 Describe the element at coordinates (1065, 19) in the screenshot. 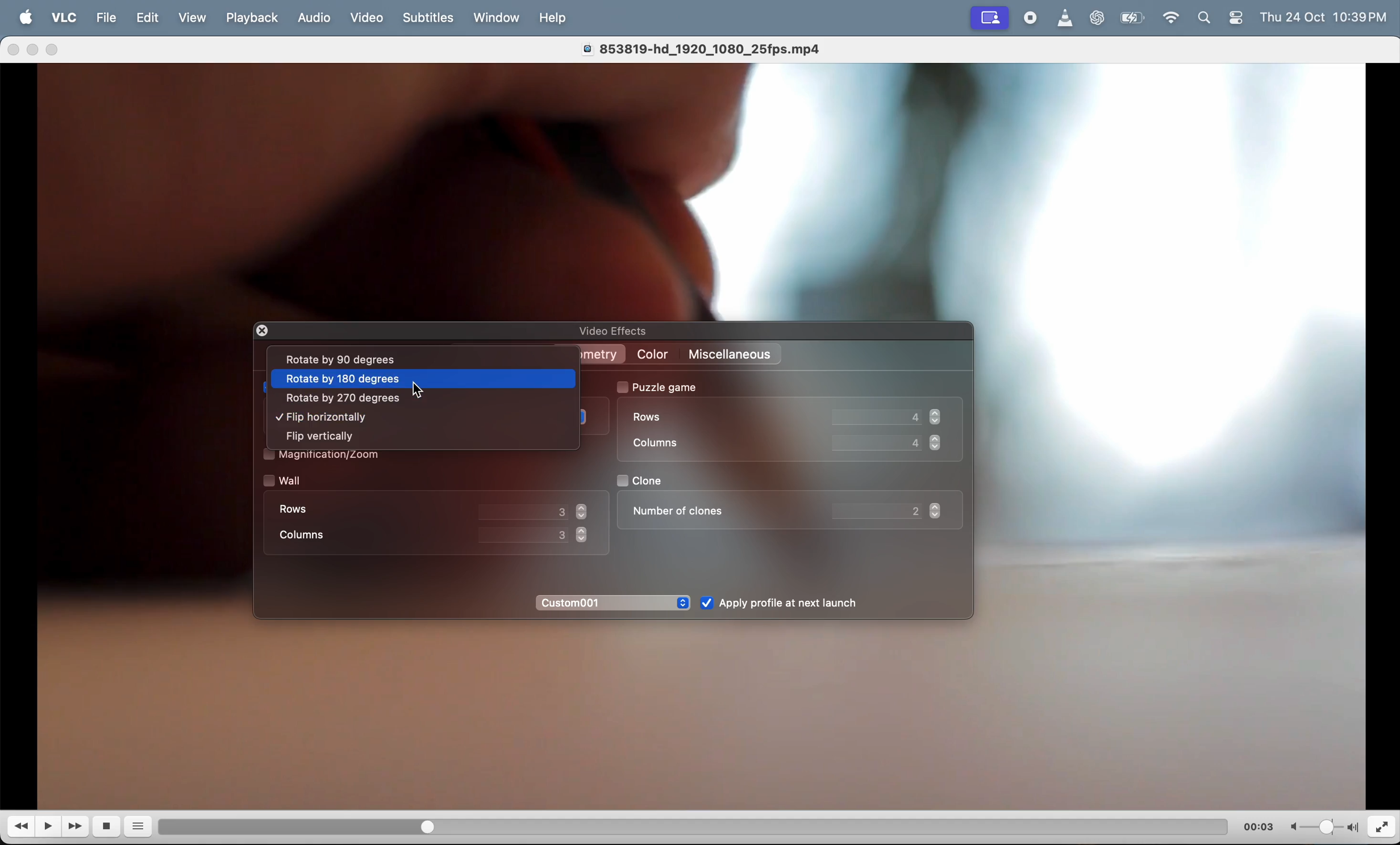

I see `vlc icon` at that location.